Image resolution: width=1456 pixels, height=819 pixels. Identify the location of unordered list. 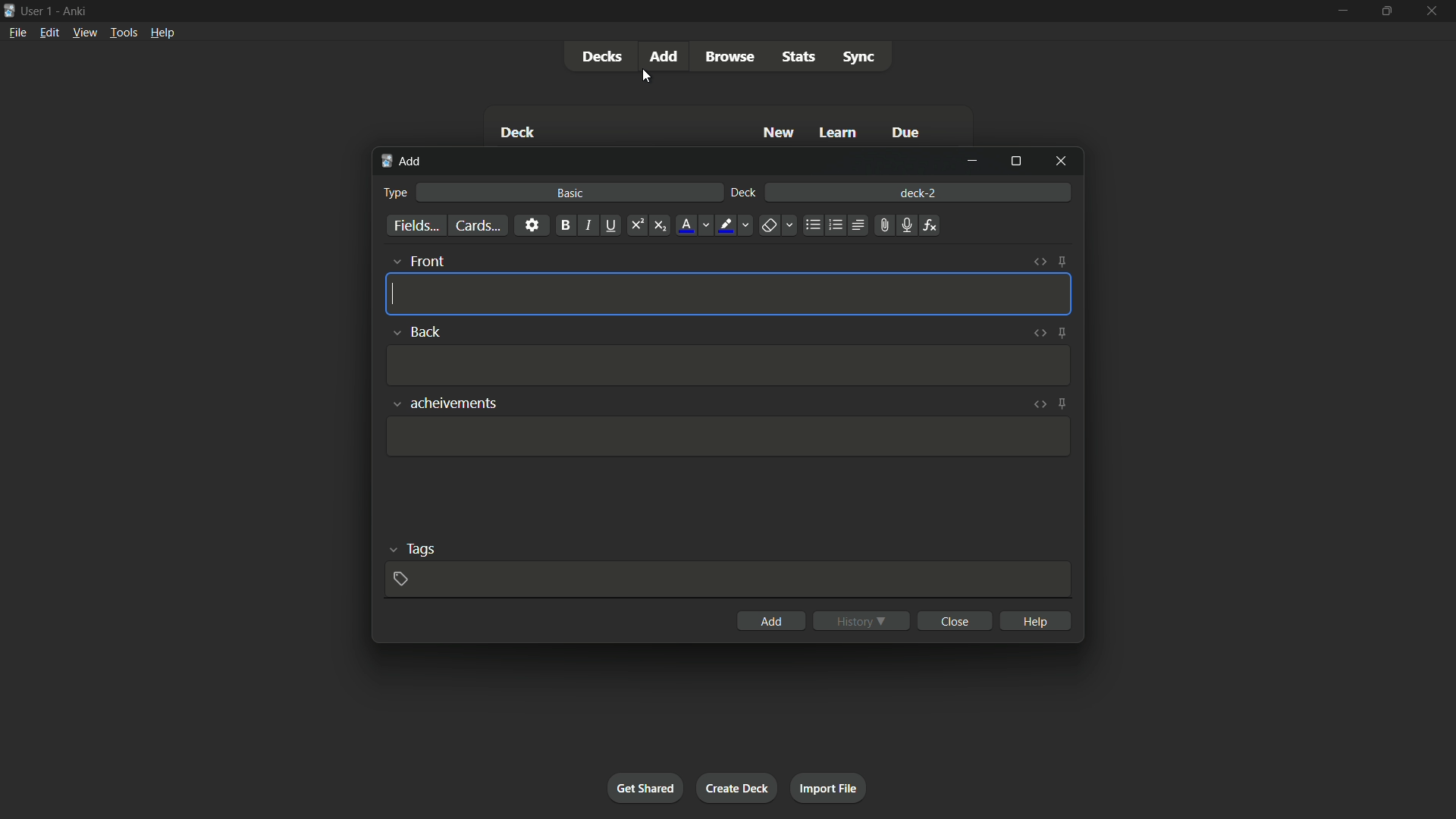
(813, 226).